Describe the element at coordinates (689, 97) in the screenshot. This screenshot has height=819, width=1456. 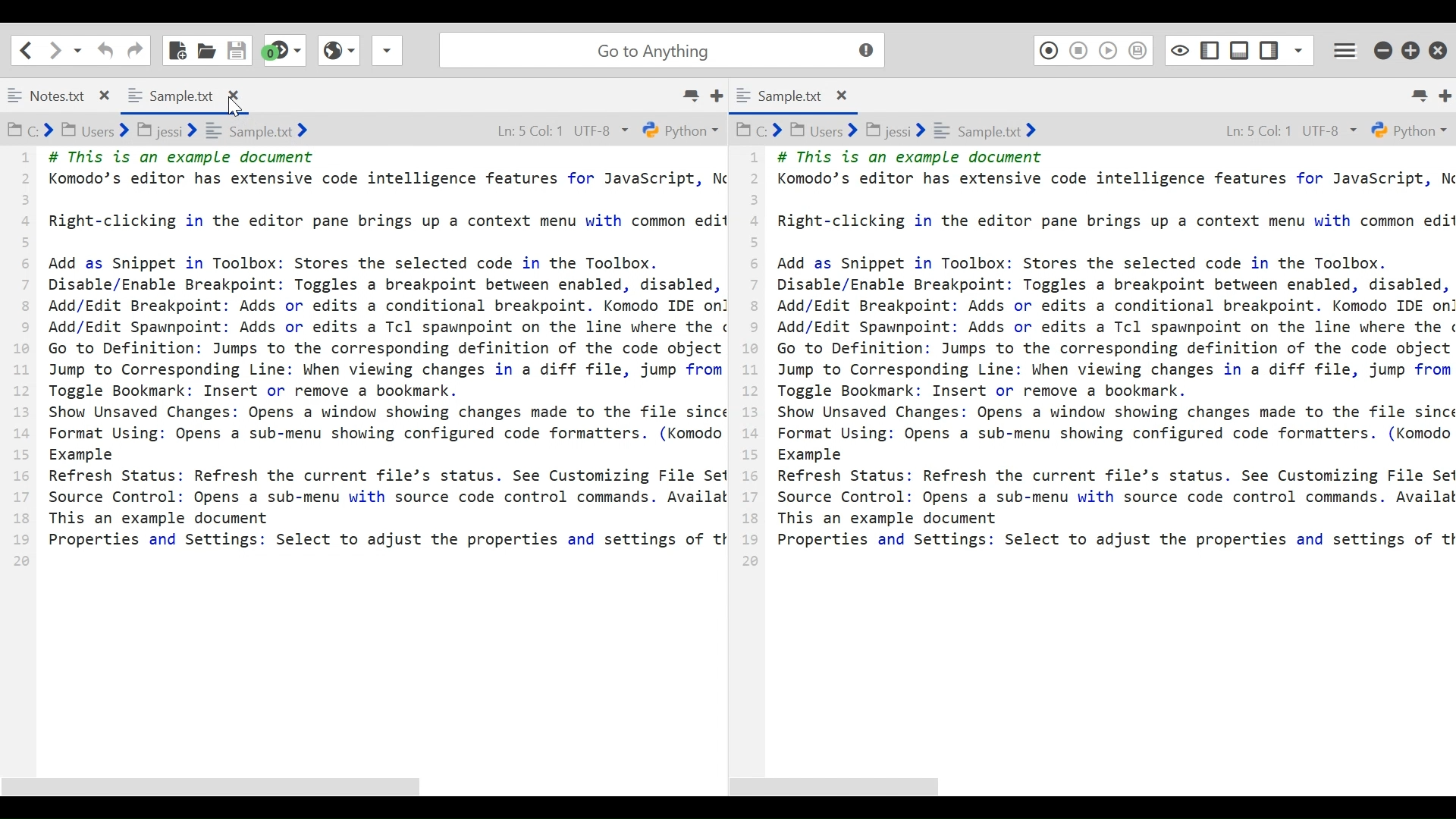
I see `List all tabs` at that location.